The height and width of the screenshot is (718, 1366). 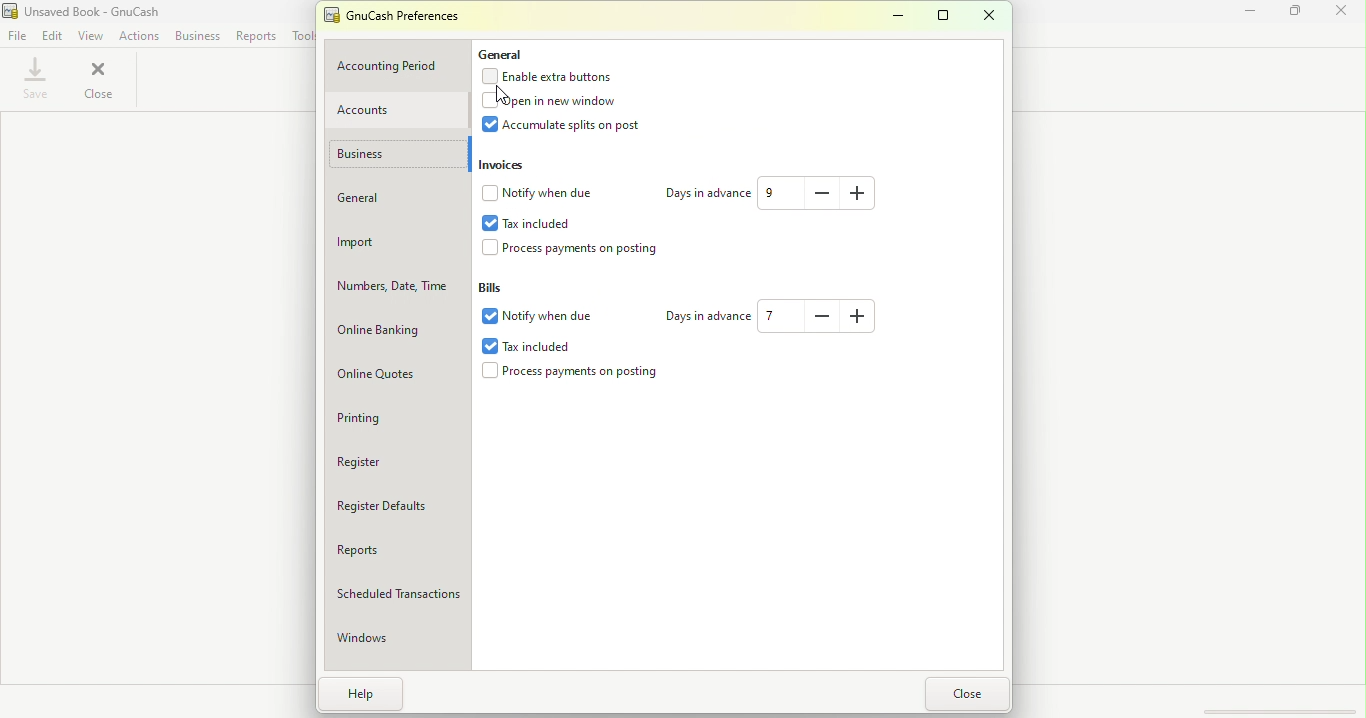 I want to click on Text box, so click(x=775, y=195).